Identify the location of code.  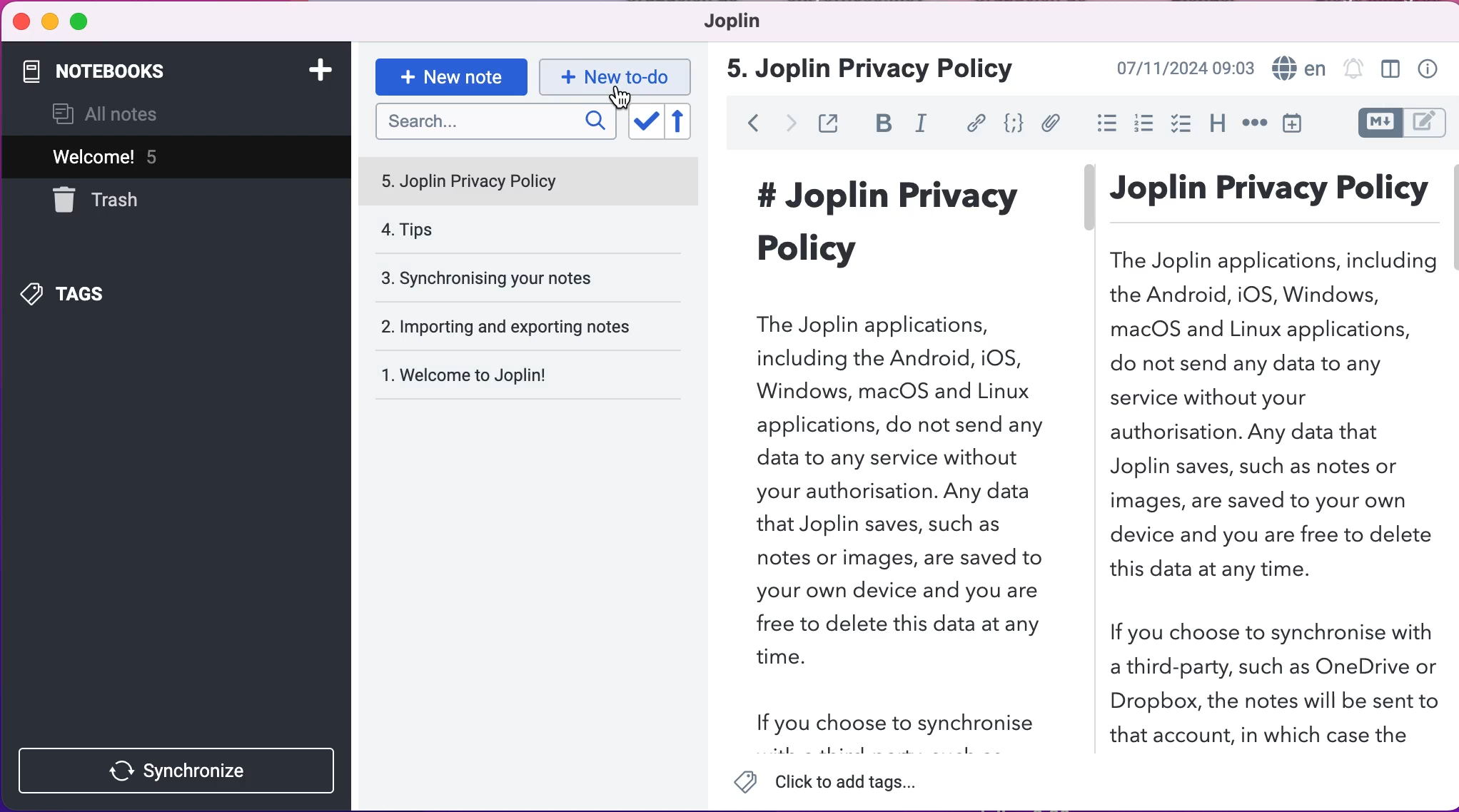
(1011, 124).